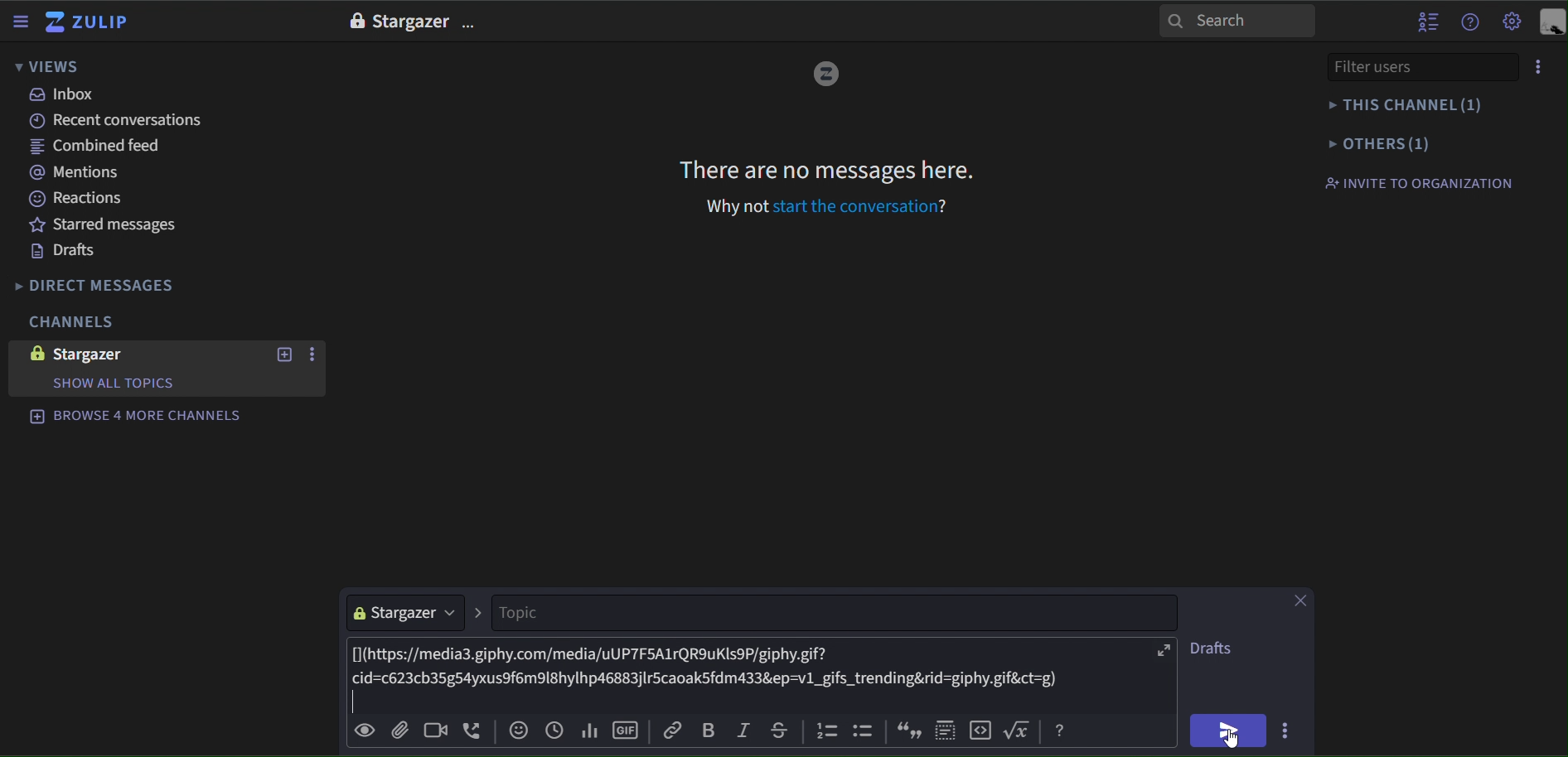 The image size is (1568, 757). What do you see at coordinates (627, 727) in the screenshot?
I see `gif` at bounding box center [627, 727].